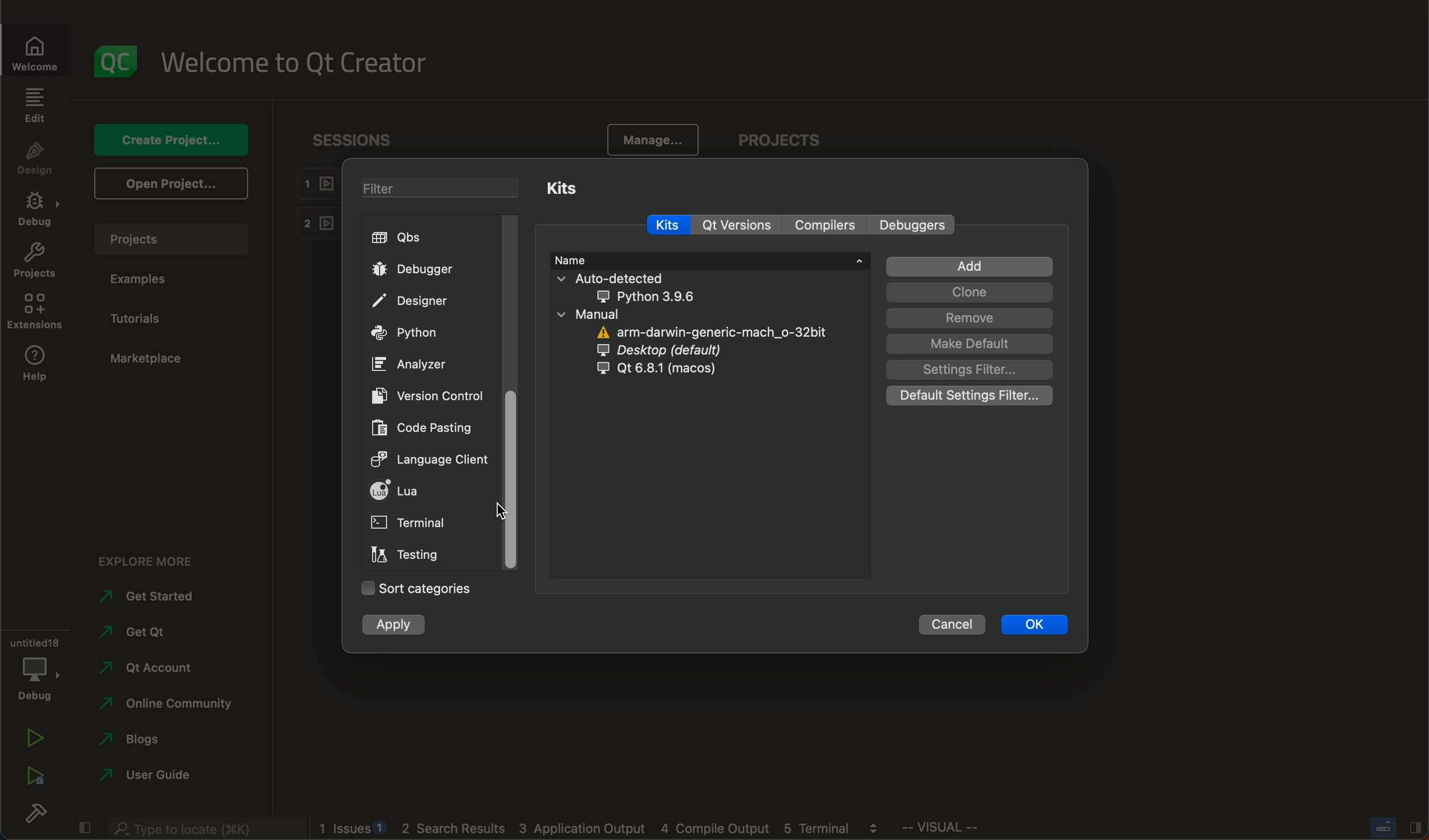  Describe the element at coordinates (429, 185) in the screenshot. I see `filter` at that location.